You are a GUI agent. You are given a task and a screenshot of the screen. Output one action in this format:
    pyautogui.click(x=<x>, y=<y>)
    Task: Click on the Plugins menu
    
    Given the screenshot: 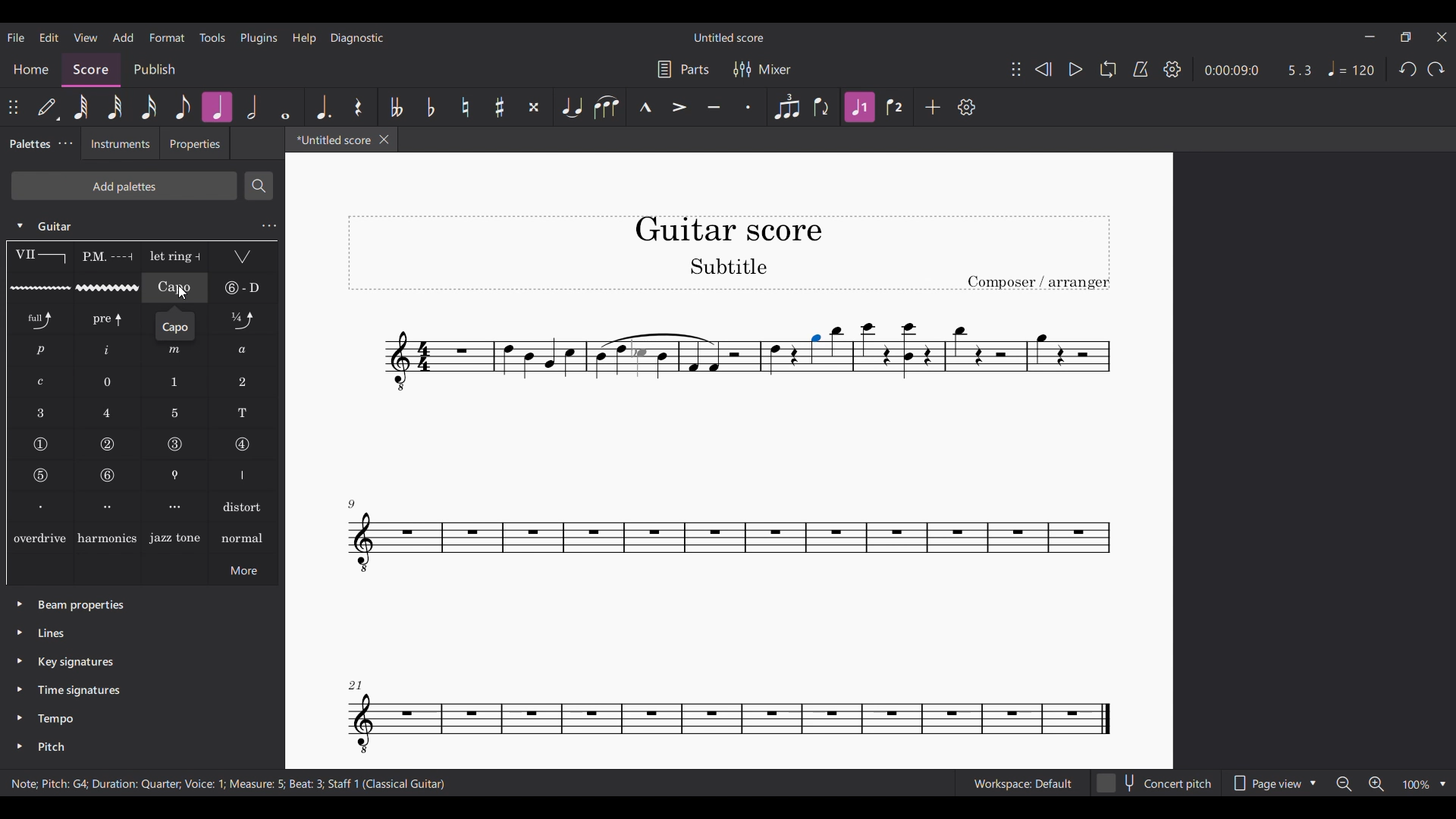 What is the action you would take?
    pyautogui.click(x=259, y=39)
    